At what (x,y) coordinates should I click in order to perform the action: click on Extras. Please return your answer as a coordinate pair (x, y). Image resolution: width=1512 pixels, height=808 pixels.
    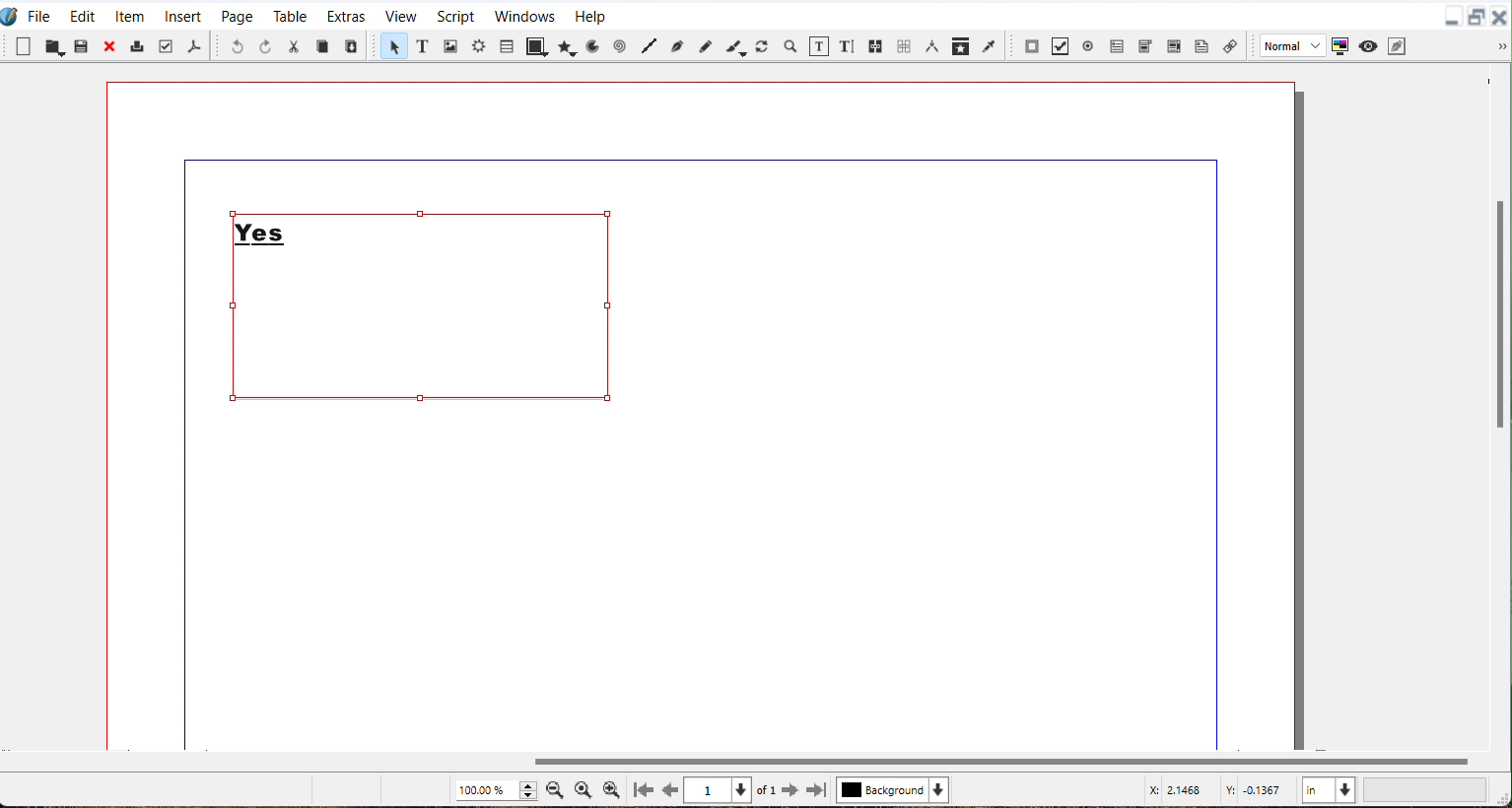
    Looking at the image, I should click on (346, 15).